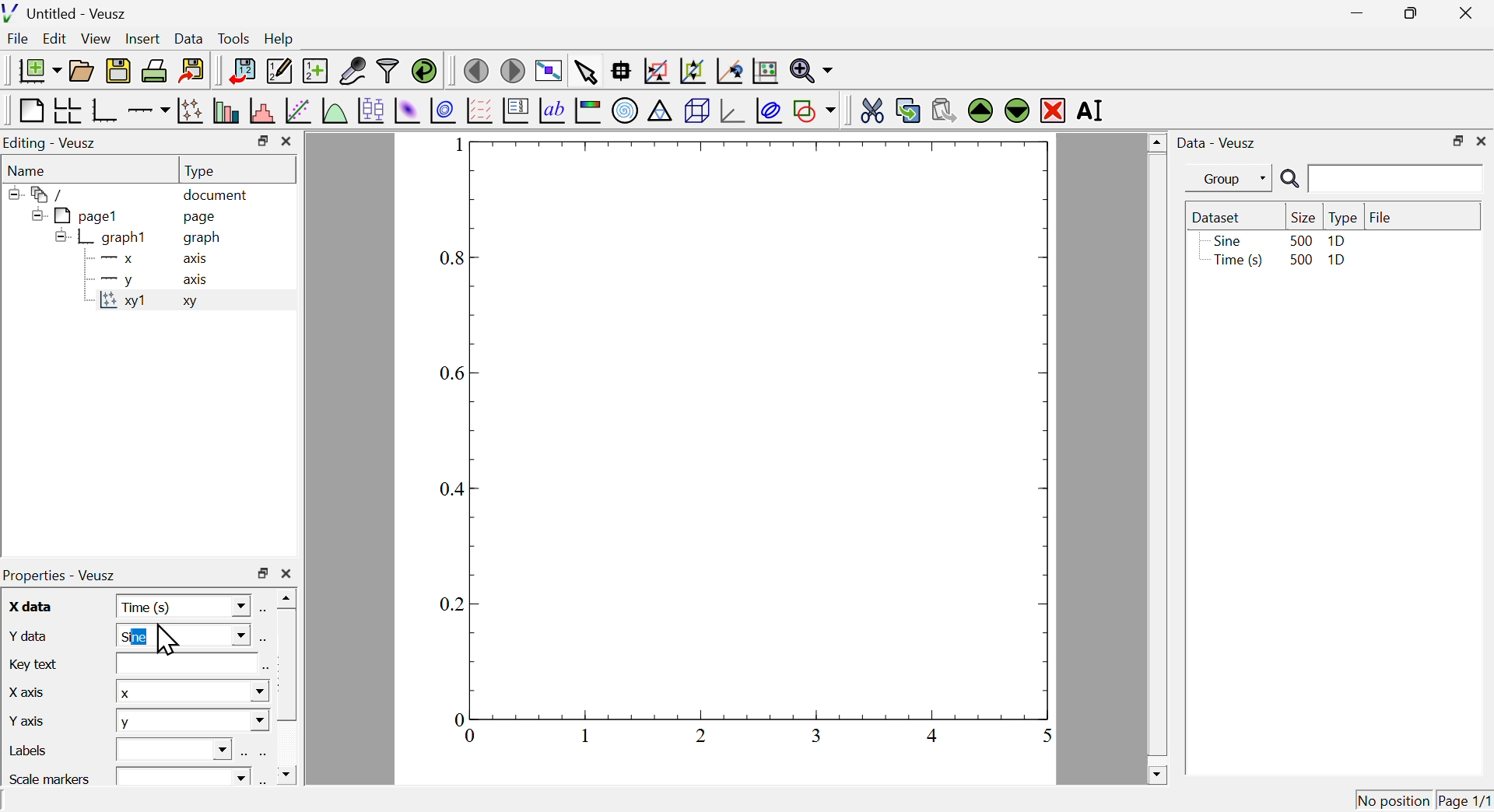 The image size is (1494, 812). What do you see at coordinates (279, 40) in the screenshot?
I see `help` at bounding box center [279, 40].